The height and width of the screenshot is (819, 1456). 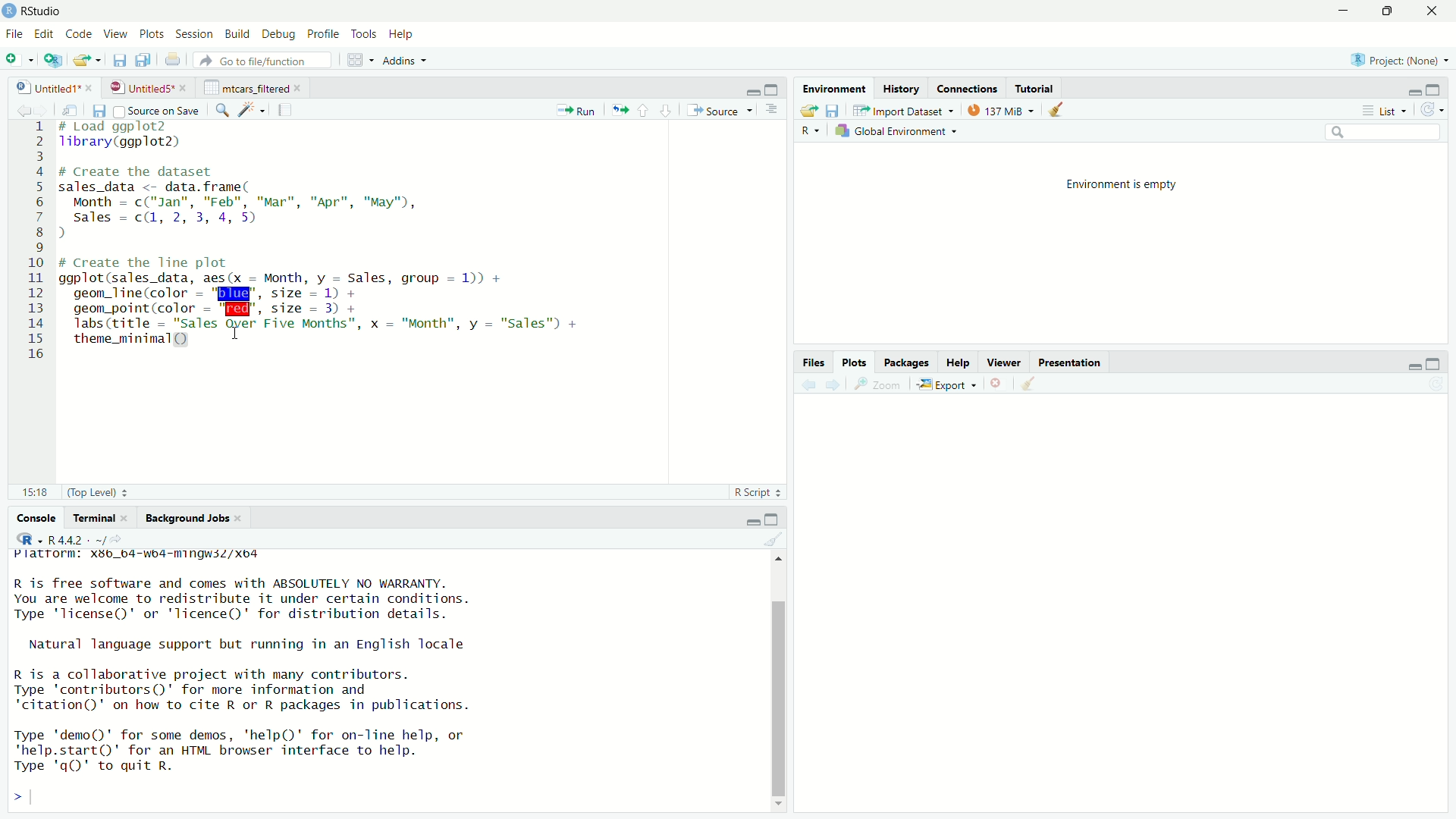 I want to click on # Load ggplot2 library(ggplot2)# Create the datasetsales_data <- data.frame(Month - c("Jan", "Feb", "Mar", "Apr", "May"),Sales = c(1, 2, 3, 4, 5))# Create the line plotggplot(sales_data, aes(x = Month, y = Sales, group = 1)) +geom_Tine(color = " ", size = 1) +geom_point (color = " ", size = 3) +labs (title = "sales ayer Five Months", x = "Month", y = "Sales") +theme_minimal(), so click(x=327, y=237).